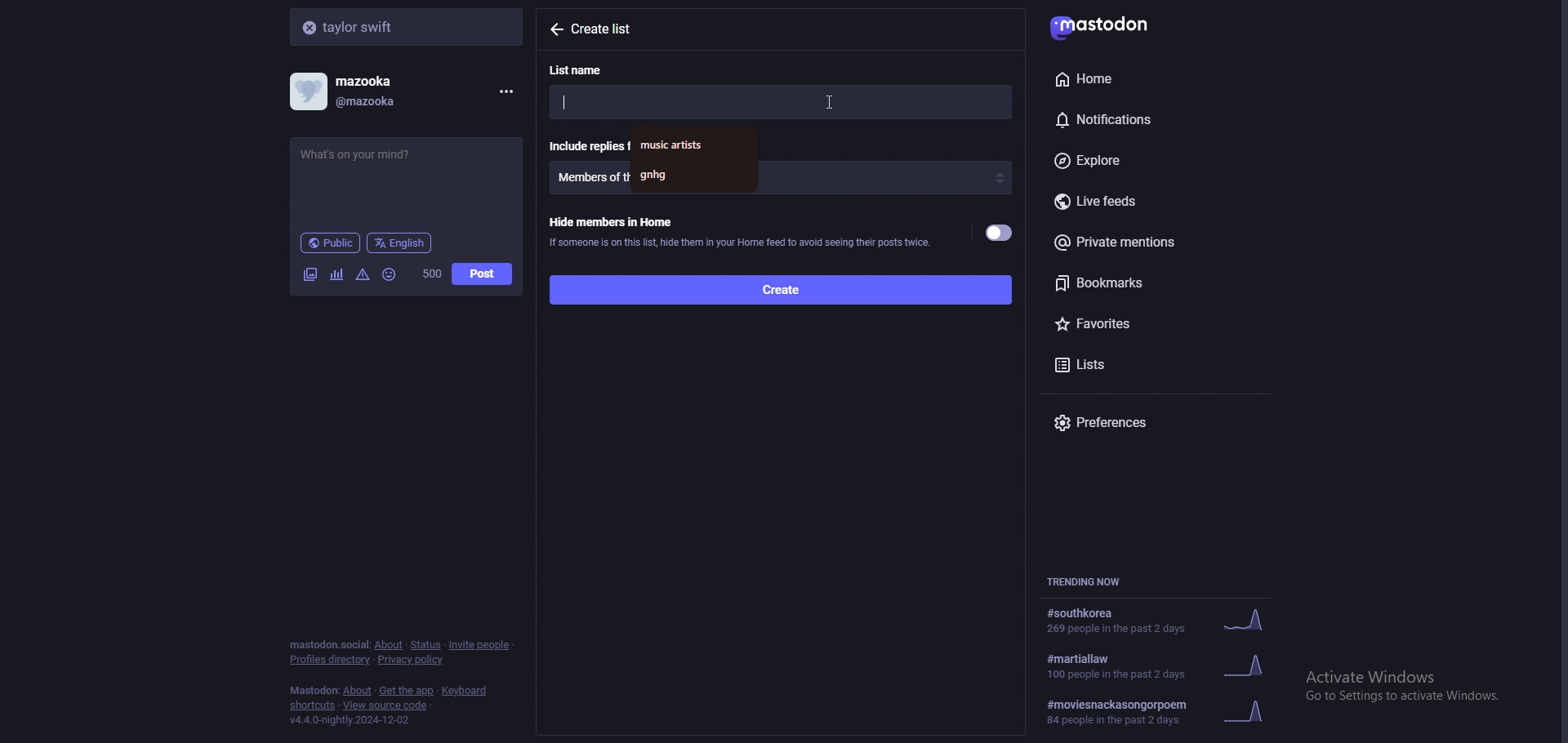 This screenshot has height=743, width=1568. Describe the element at coordinates (612, 29) in the screenshot. I see `create list` at that location.